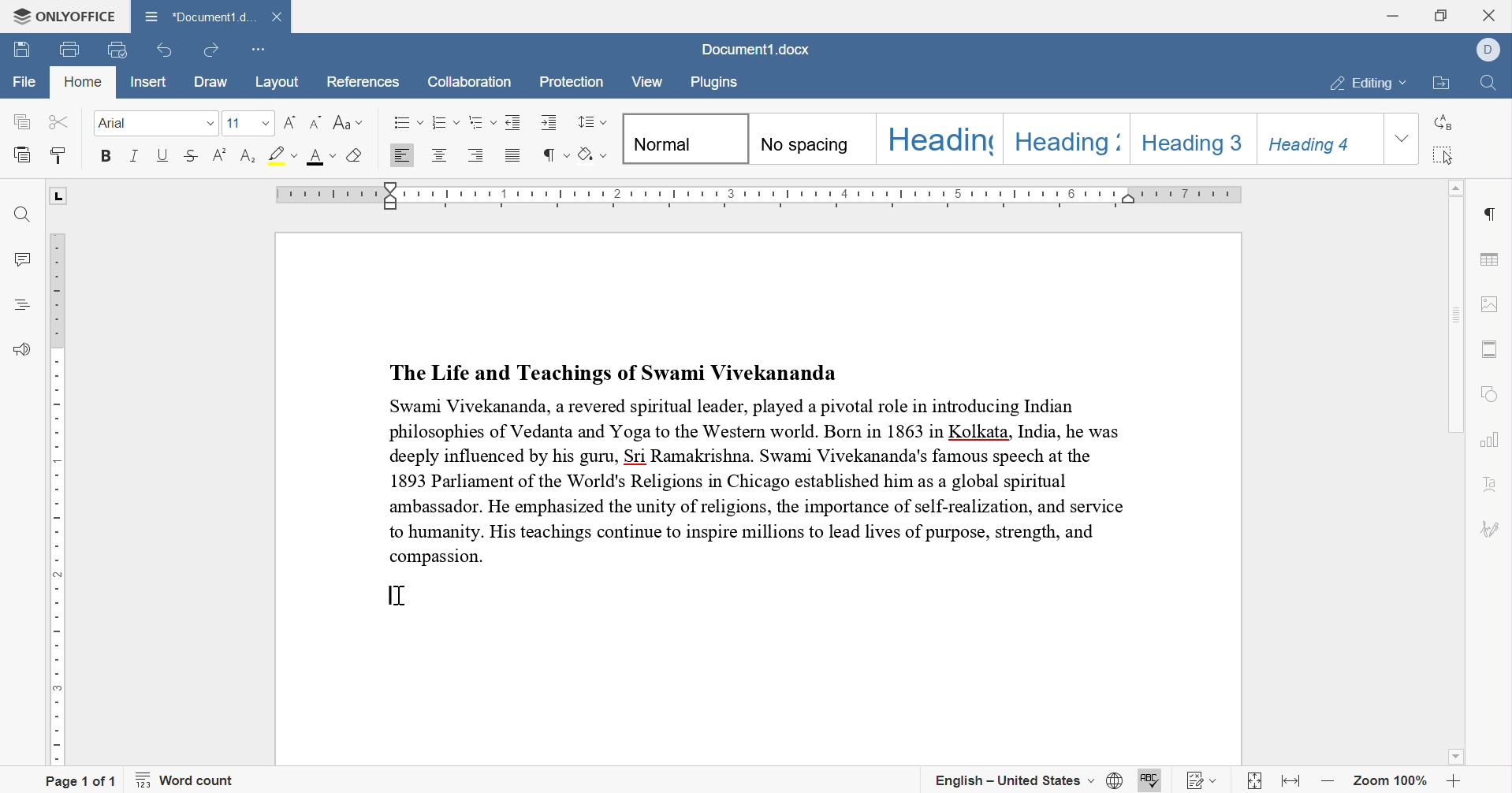  I want to click on close, so click(1492, 13).